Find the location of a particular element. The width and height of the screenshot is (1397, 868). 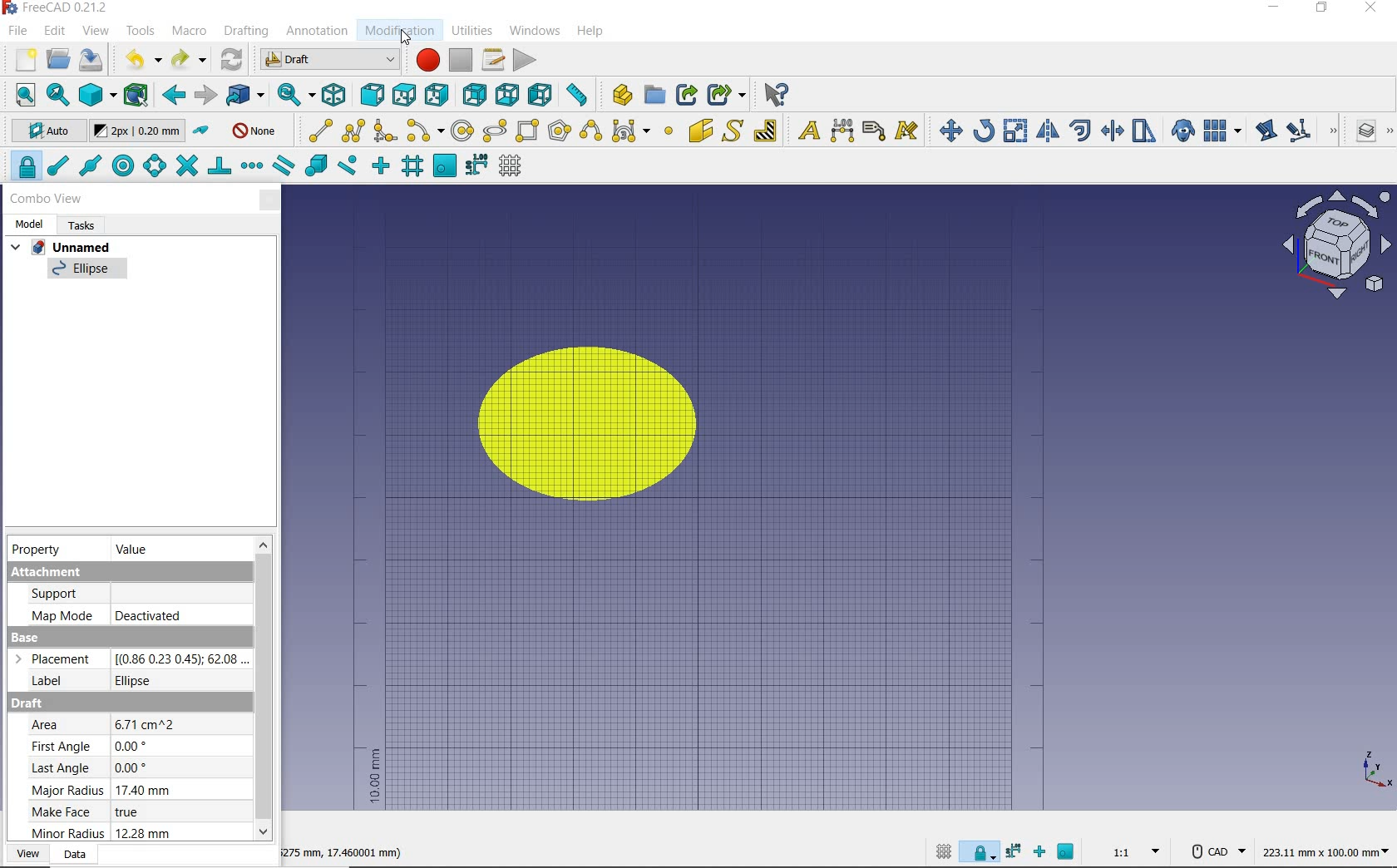

offset is located at coordinates (1079, 131).